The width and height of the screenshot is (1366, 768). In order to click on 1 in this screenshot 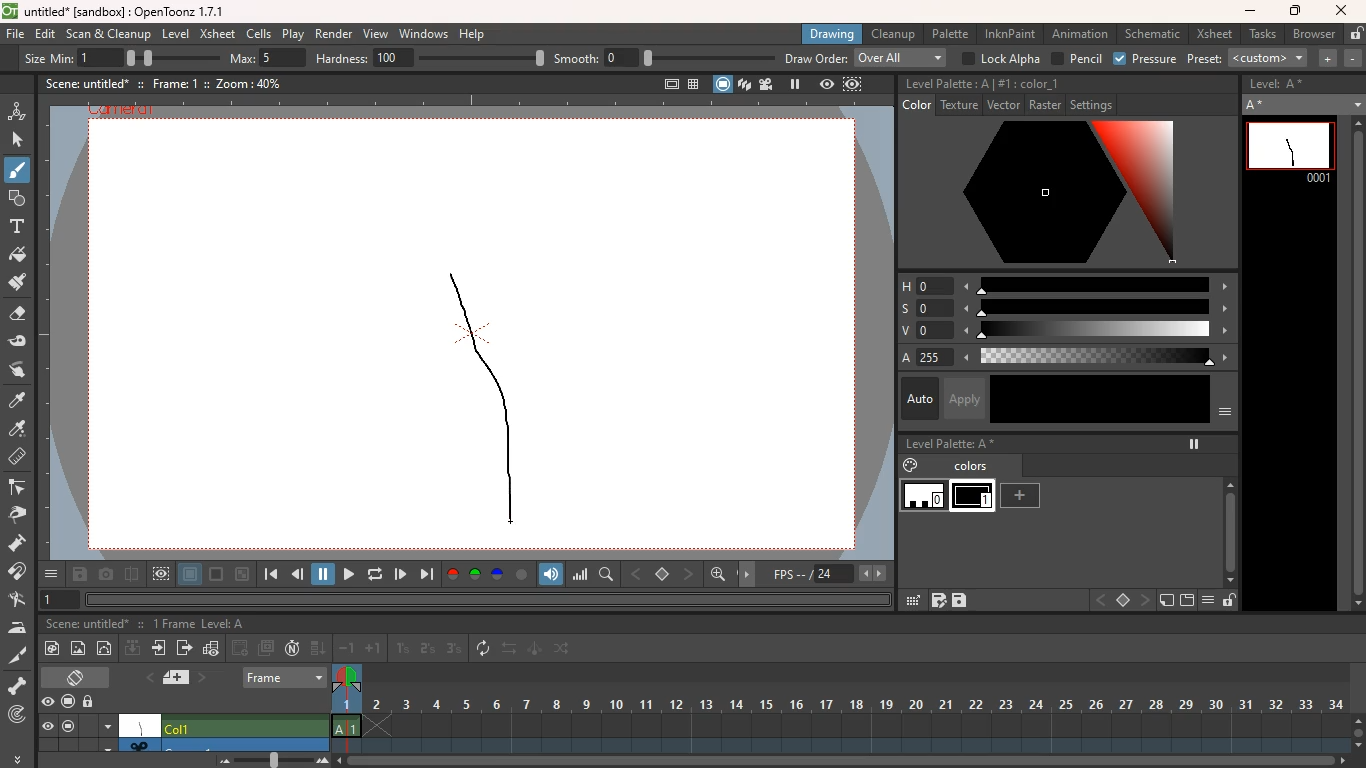, I will do `click(61, 599)`.